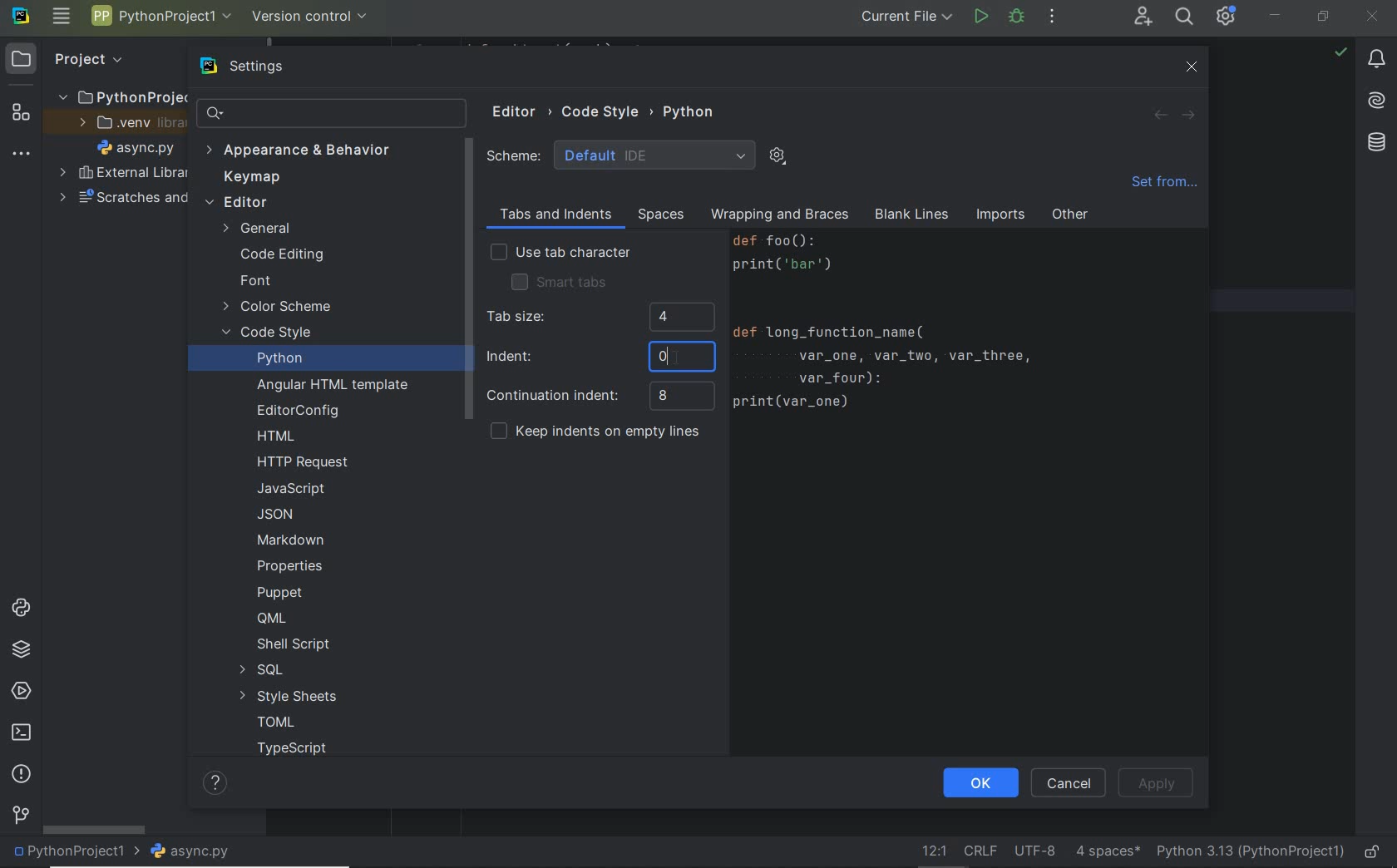  I want to click on Appearance & Behavior, so click(299, 152).